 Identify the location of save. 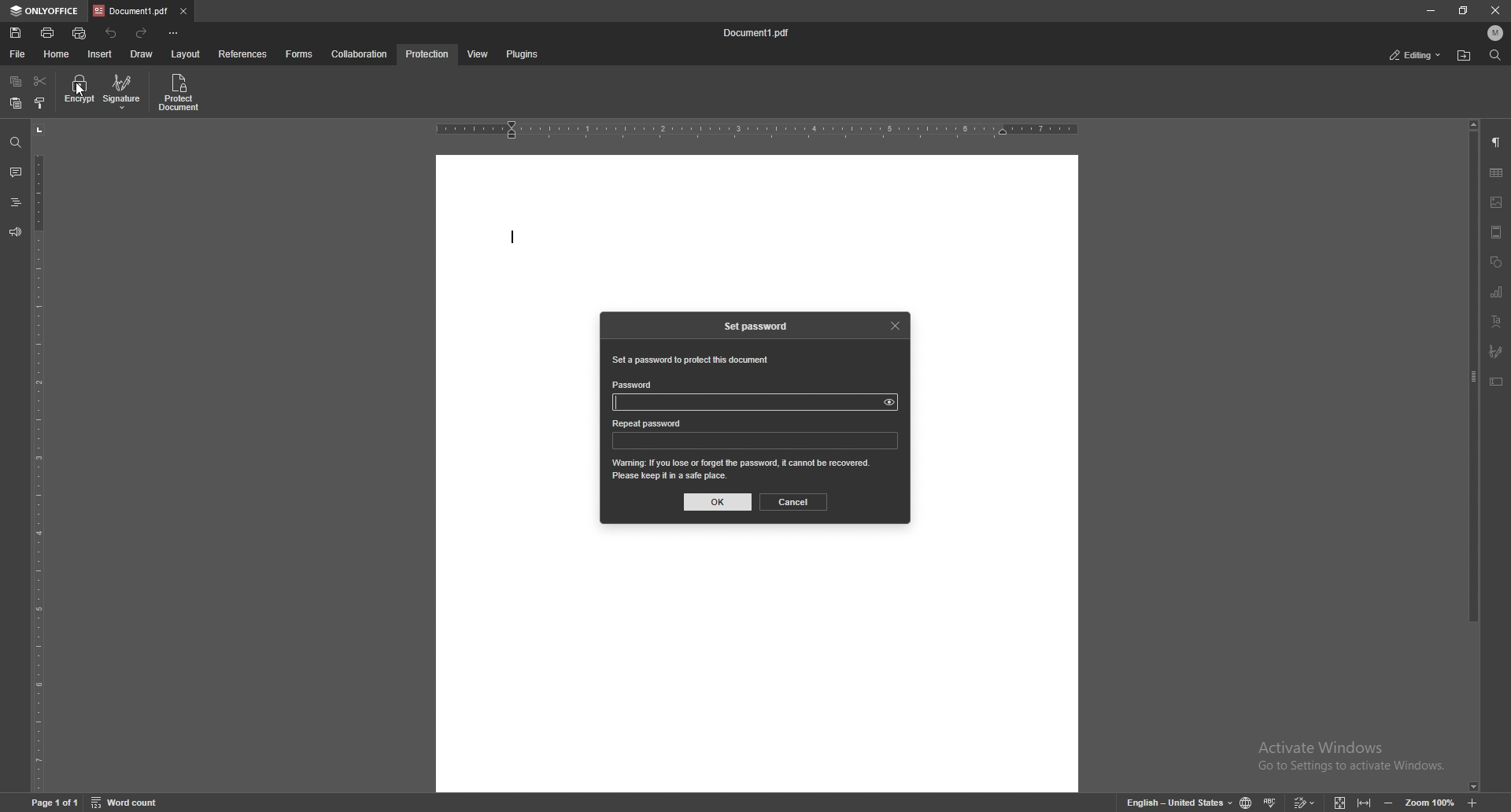
(16, 33).